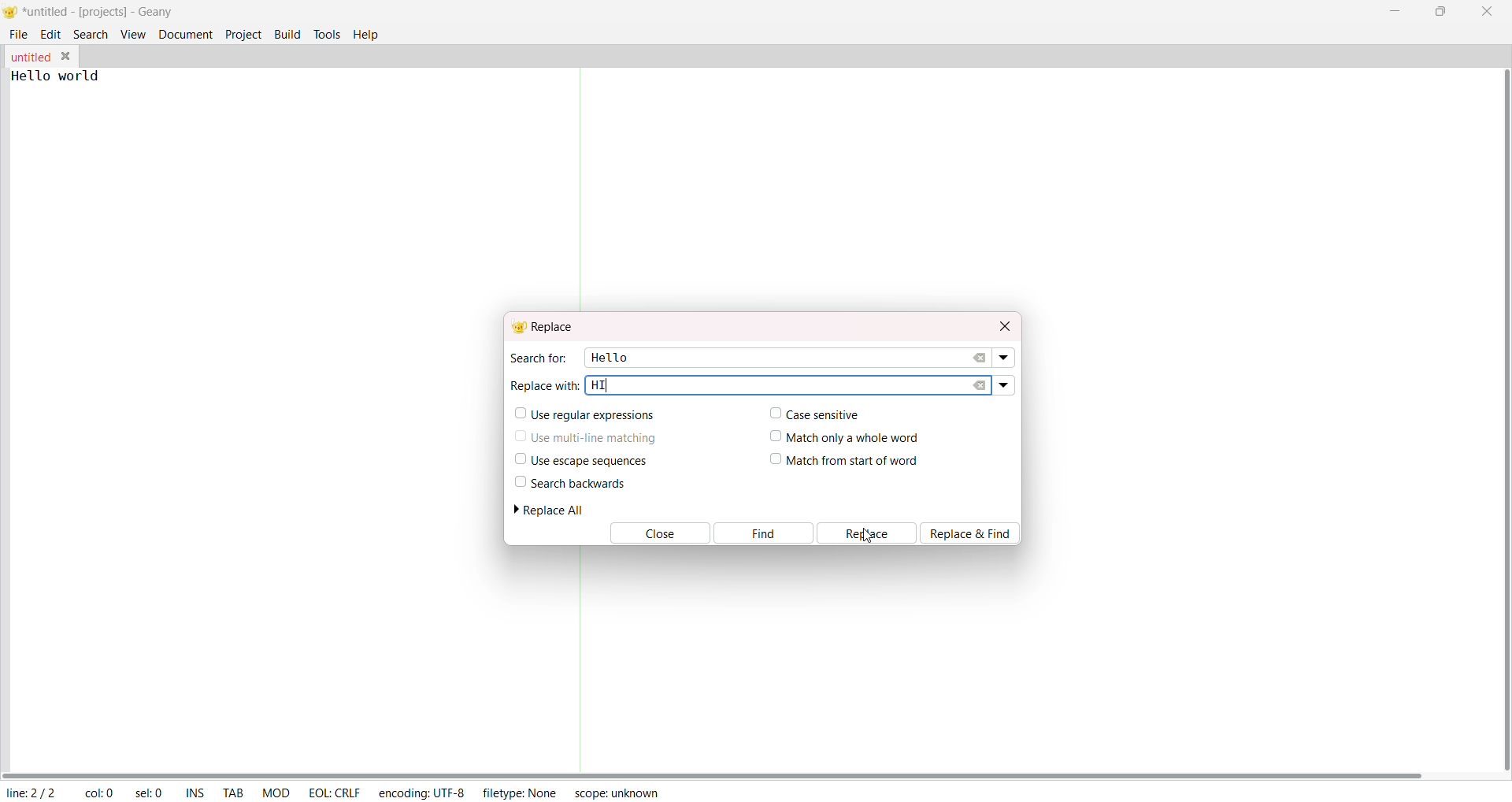  What do you see at coordinates (569, 483) in the screenshot?
I see `search backwards` at bounding box center [569, 483].